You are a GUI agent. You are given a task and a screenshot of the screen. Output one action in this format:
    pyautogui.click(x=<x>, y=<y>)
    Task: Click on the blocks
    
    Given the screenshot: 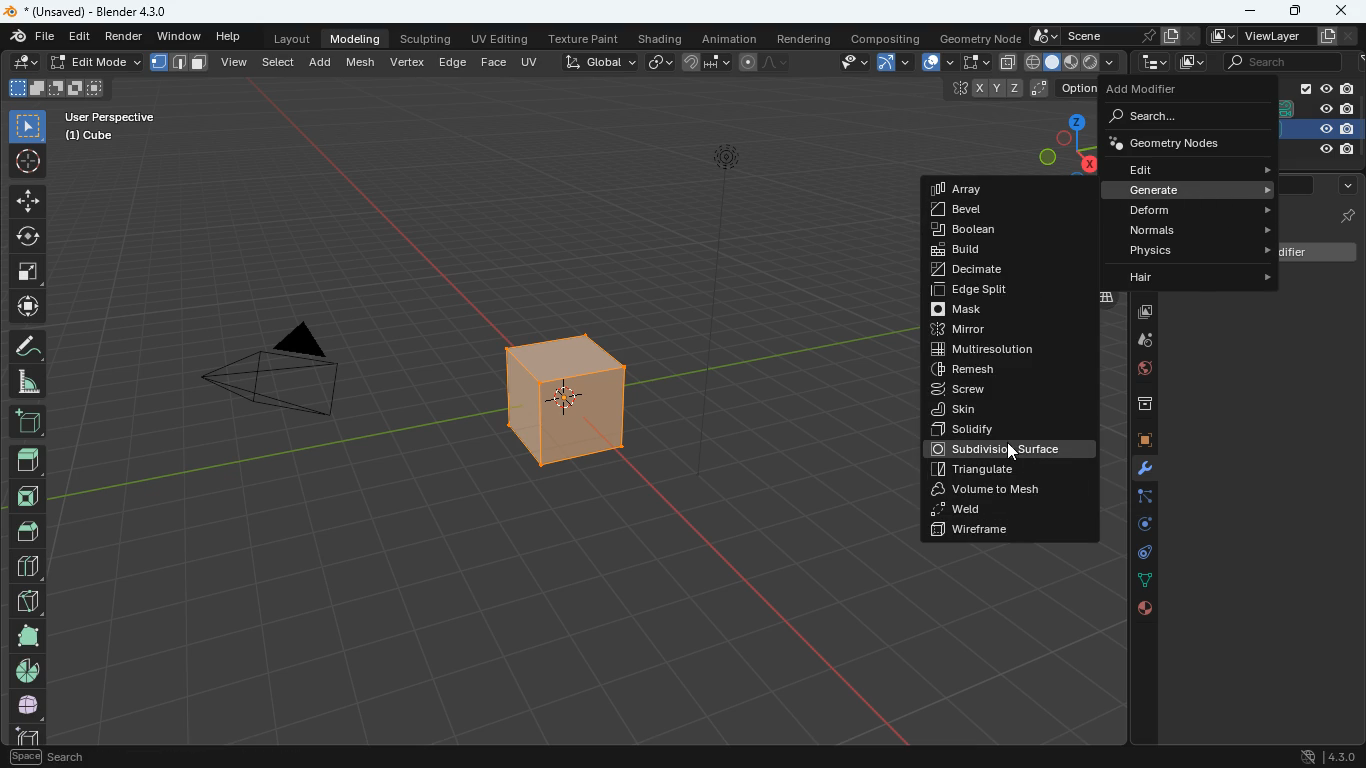 What is the action you would take?
    pyautogui.click(x=28, y=569)
    